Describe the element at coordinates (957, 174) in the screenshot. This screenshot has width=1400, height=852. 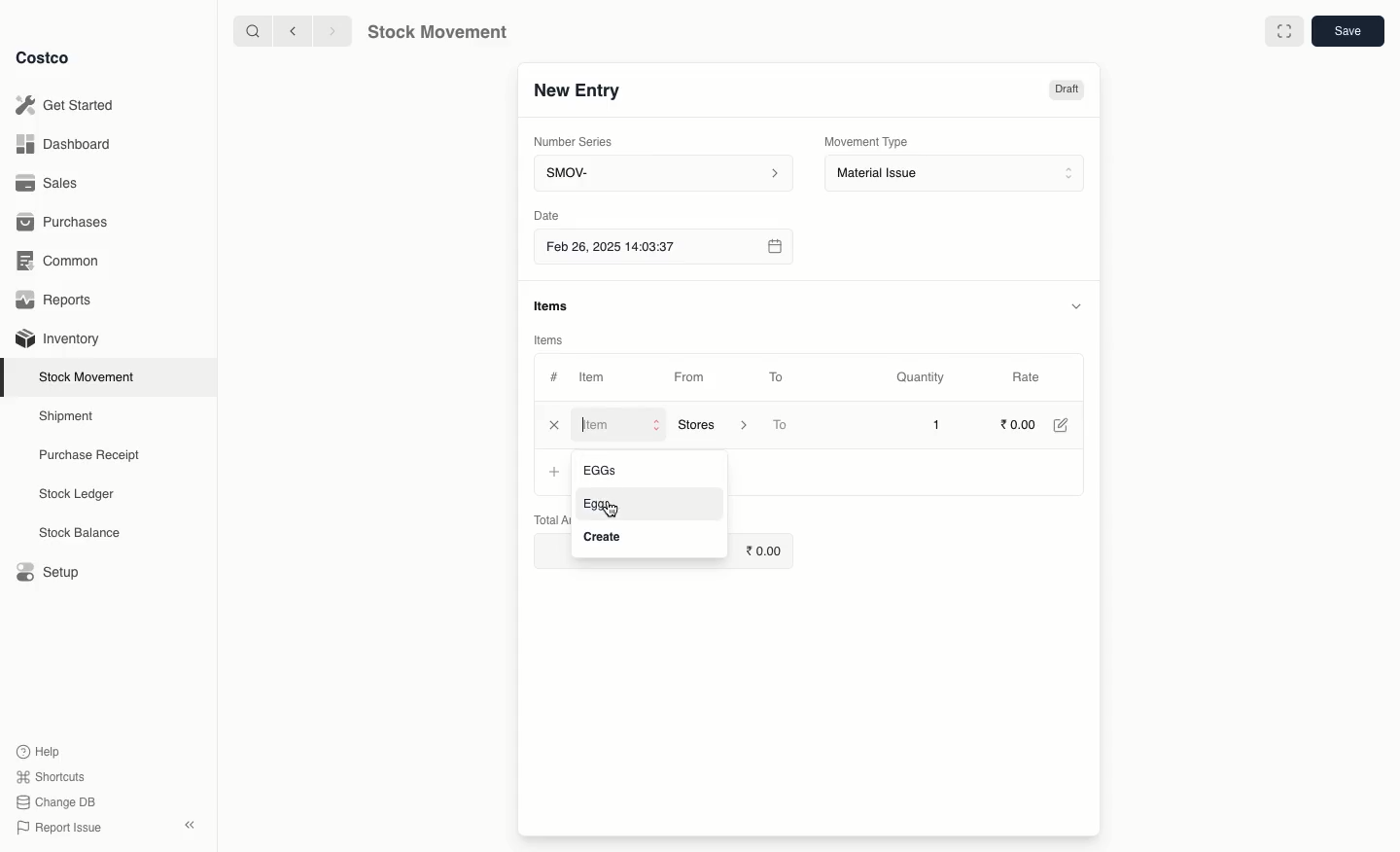
I see `Material Issue` at that location.